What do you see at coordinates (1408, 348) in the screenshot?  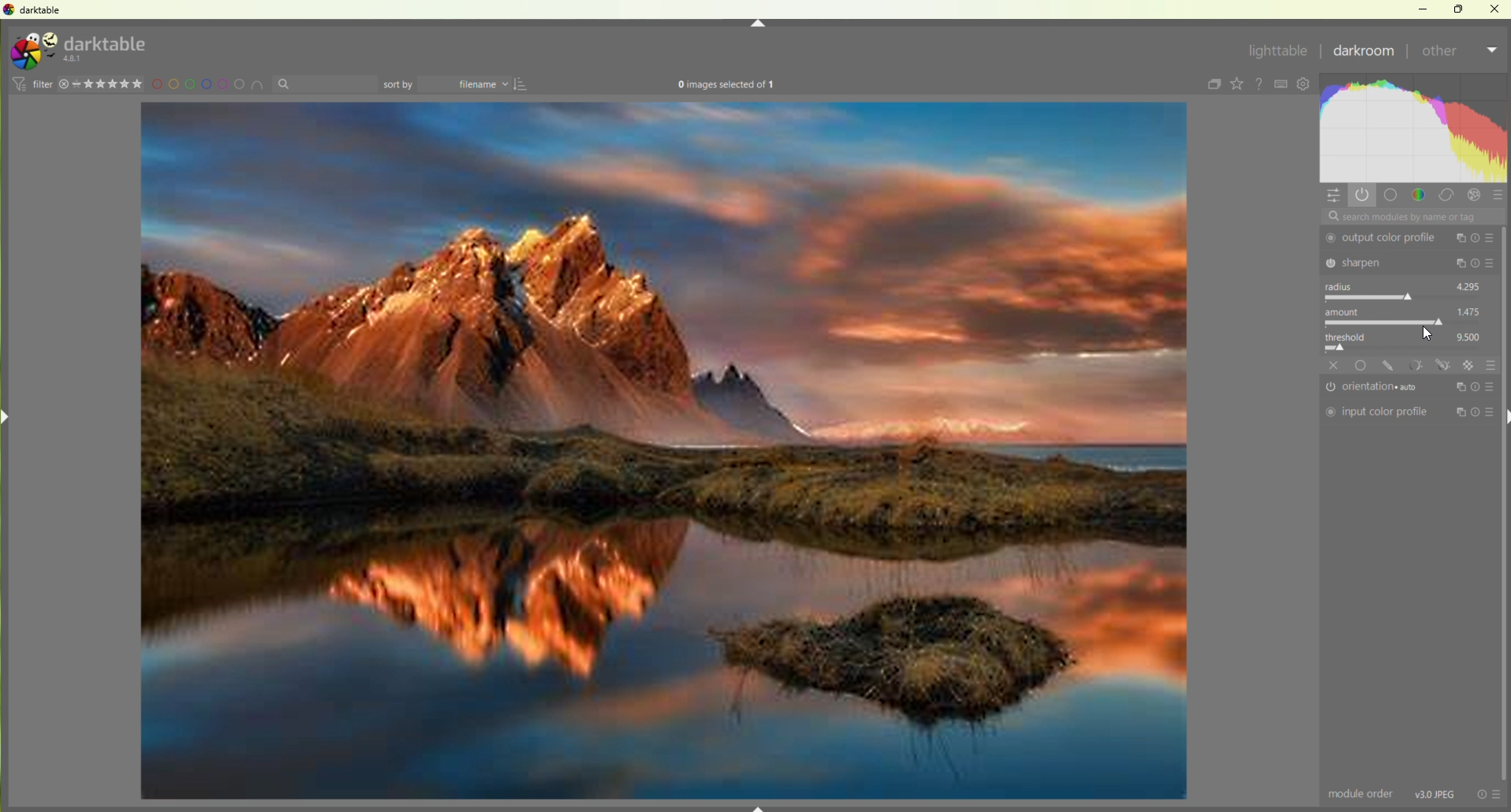 I see `input slider` at bounding box center [1408, 348].